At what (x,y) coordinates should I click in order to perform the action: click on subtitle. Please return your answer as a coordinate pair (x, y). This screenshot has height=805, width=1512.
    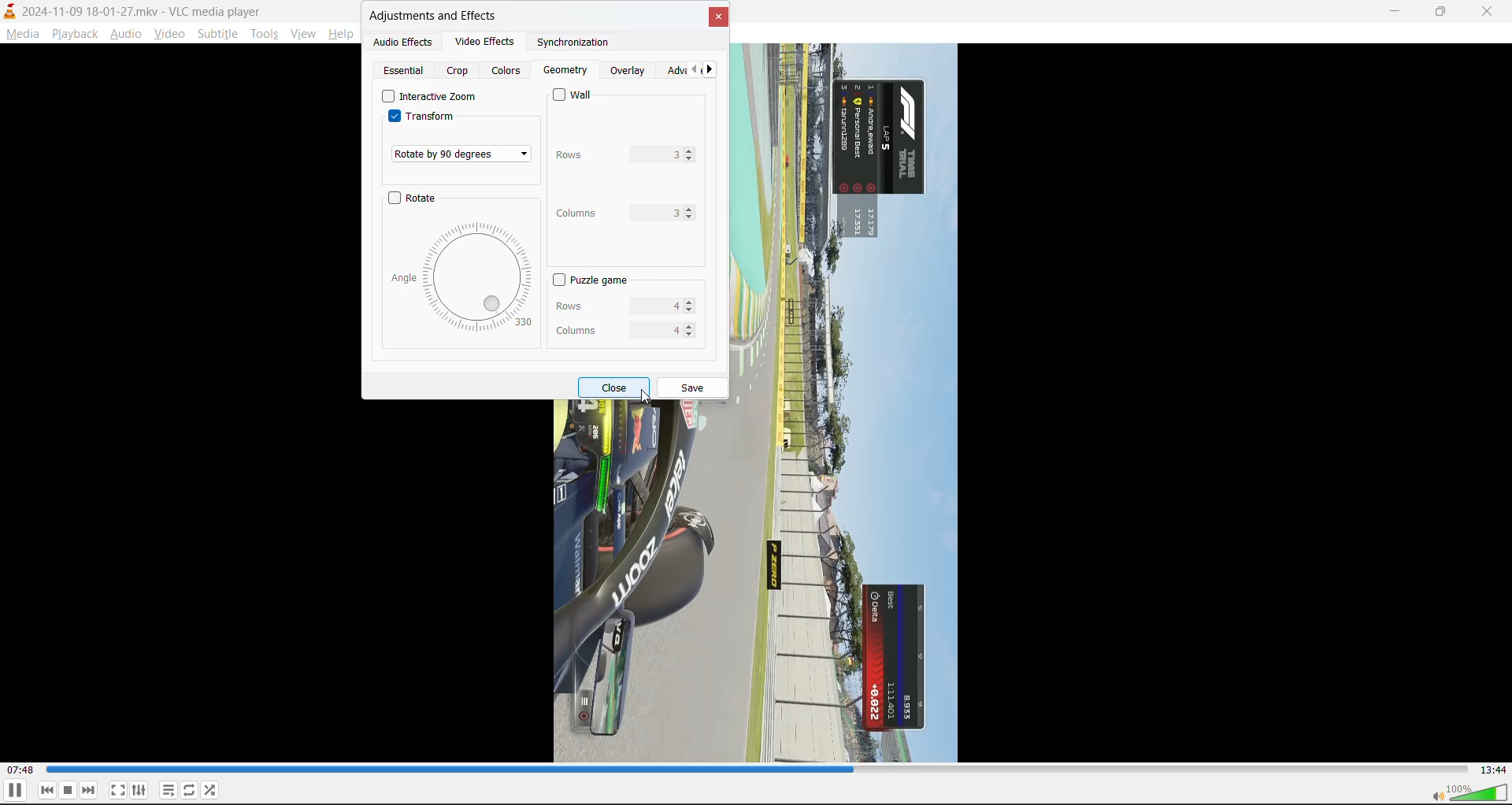
    Looking at the image, I should click on (217, 35).